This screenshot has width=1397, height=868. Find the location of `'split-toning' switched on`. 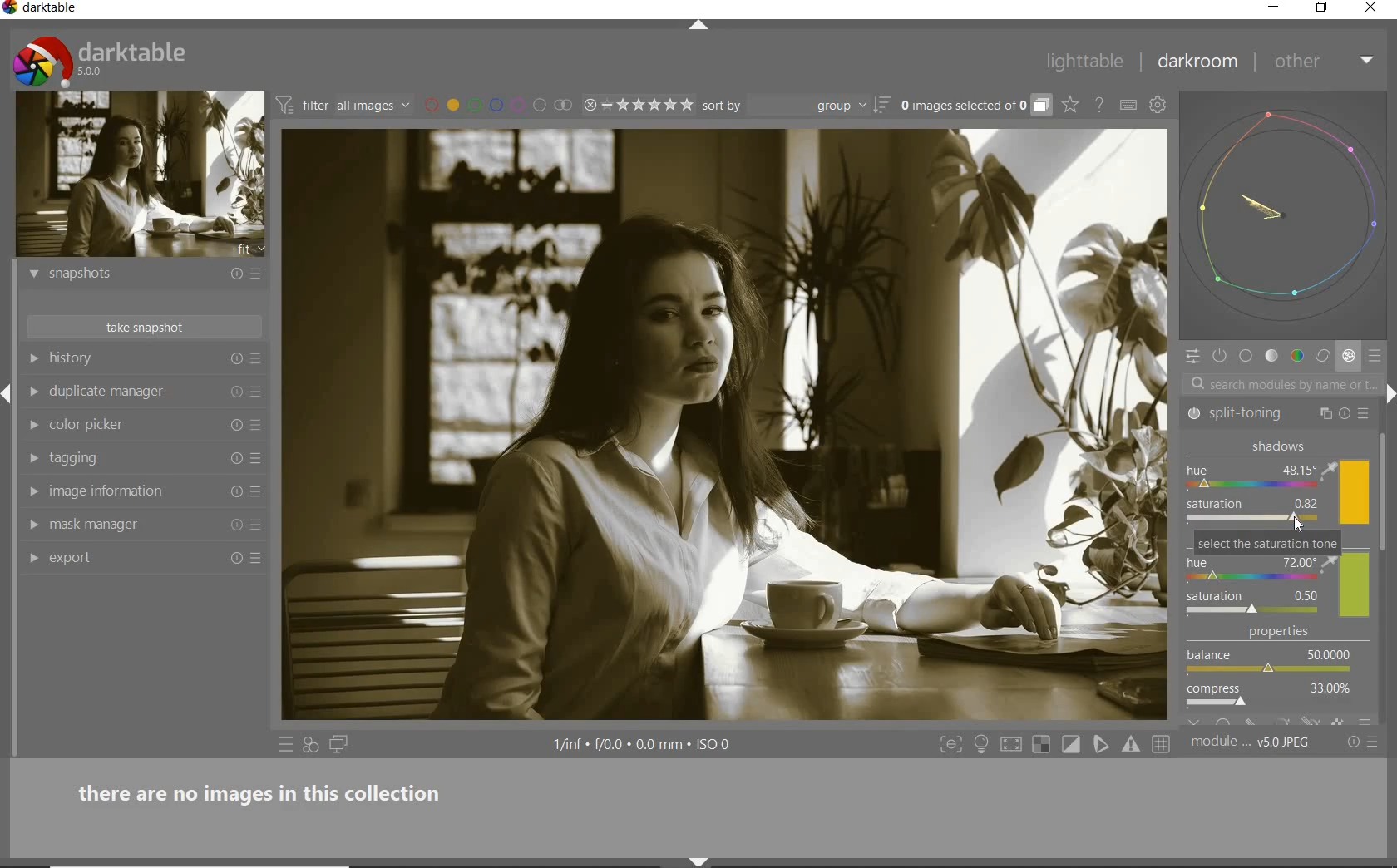

'split-toning' switched on is located at coordinates (1197, 413).